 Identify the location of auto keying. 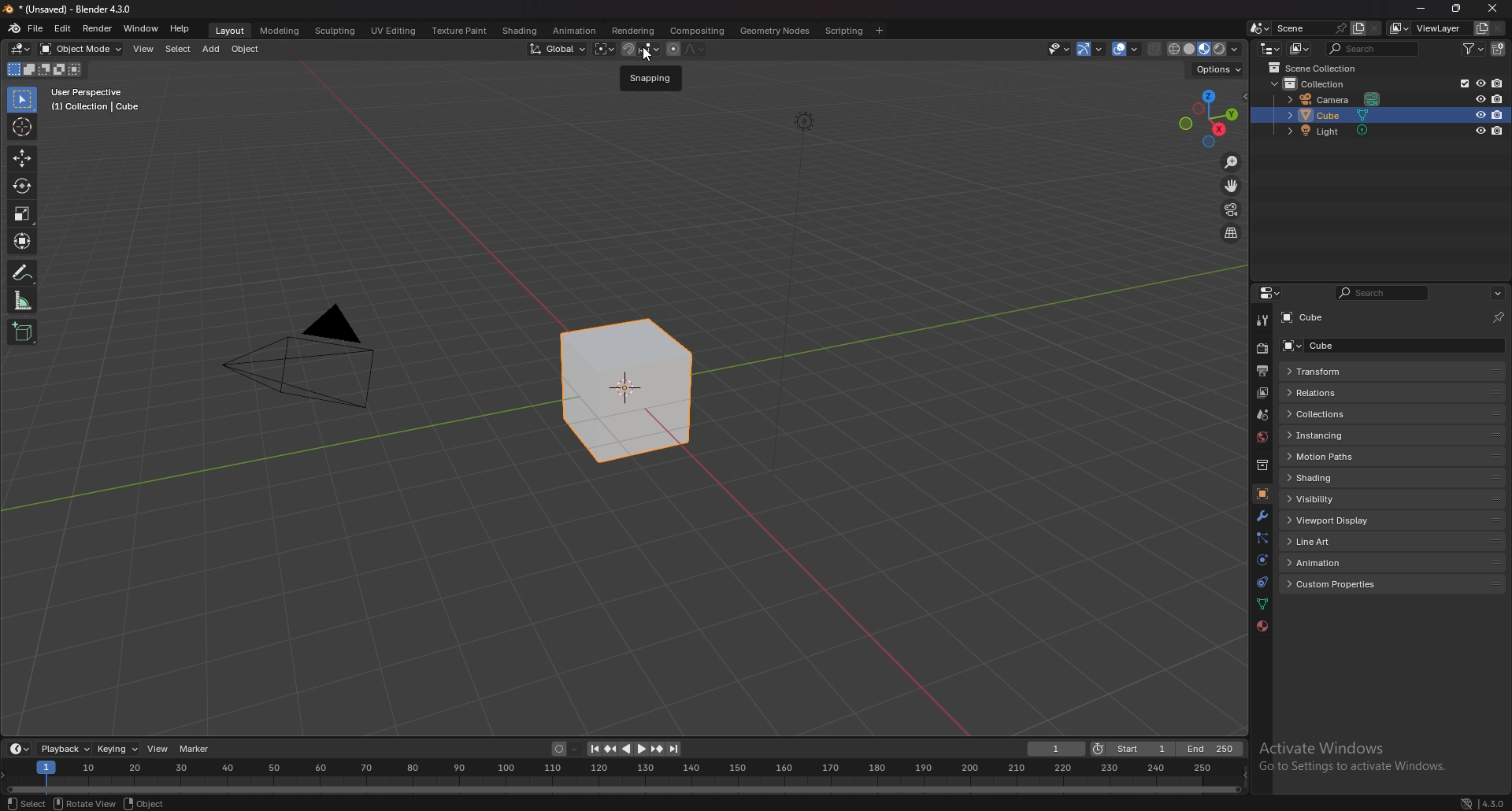
(566, 749).